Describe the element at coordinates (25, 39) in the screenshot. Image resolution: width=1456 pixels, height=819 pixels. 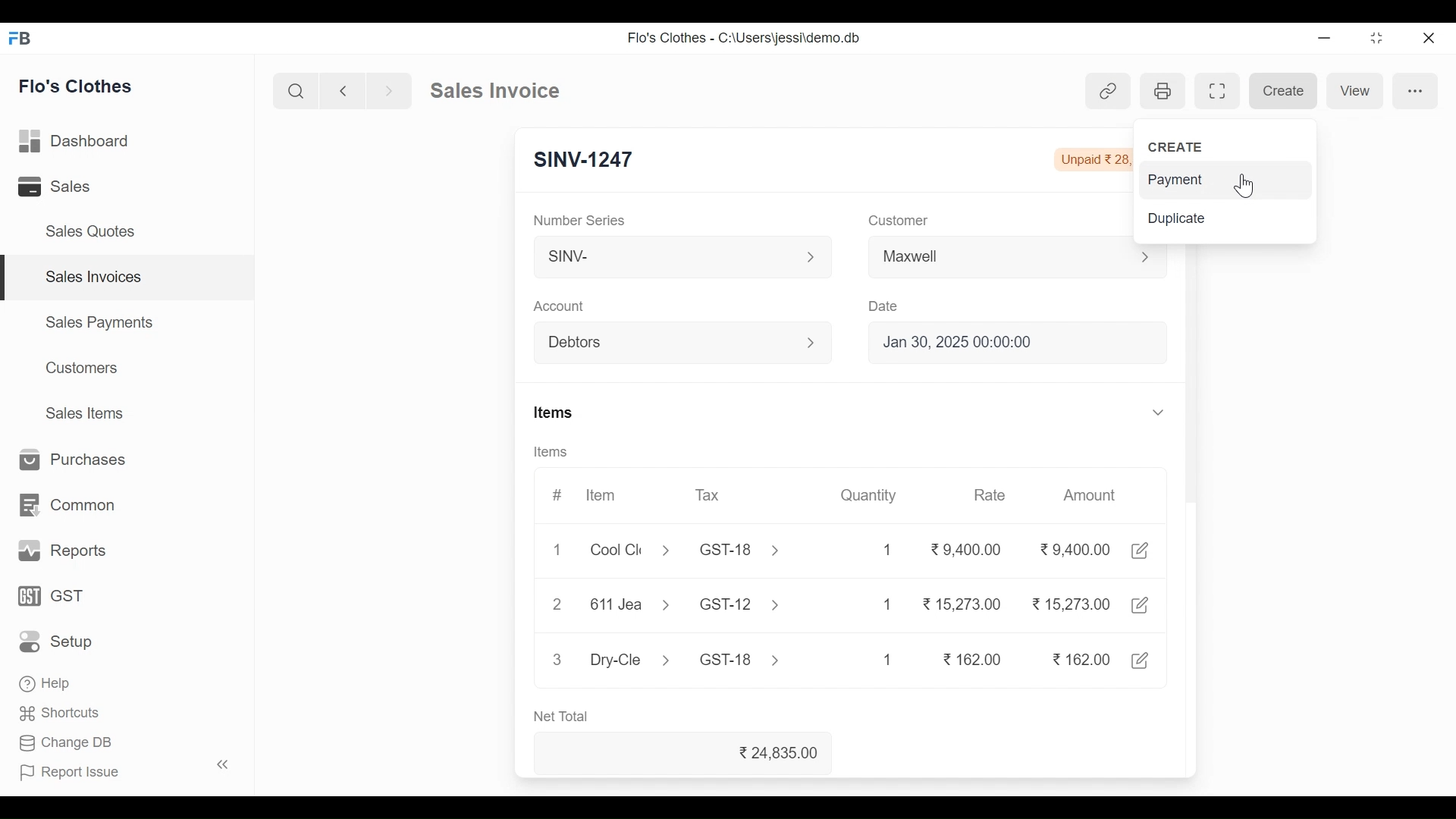
I see `Frappe Book Desktop Icon` at that location.